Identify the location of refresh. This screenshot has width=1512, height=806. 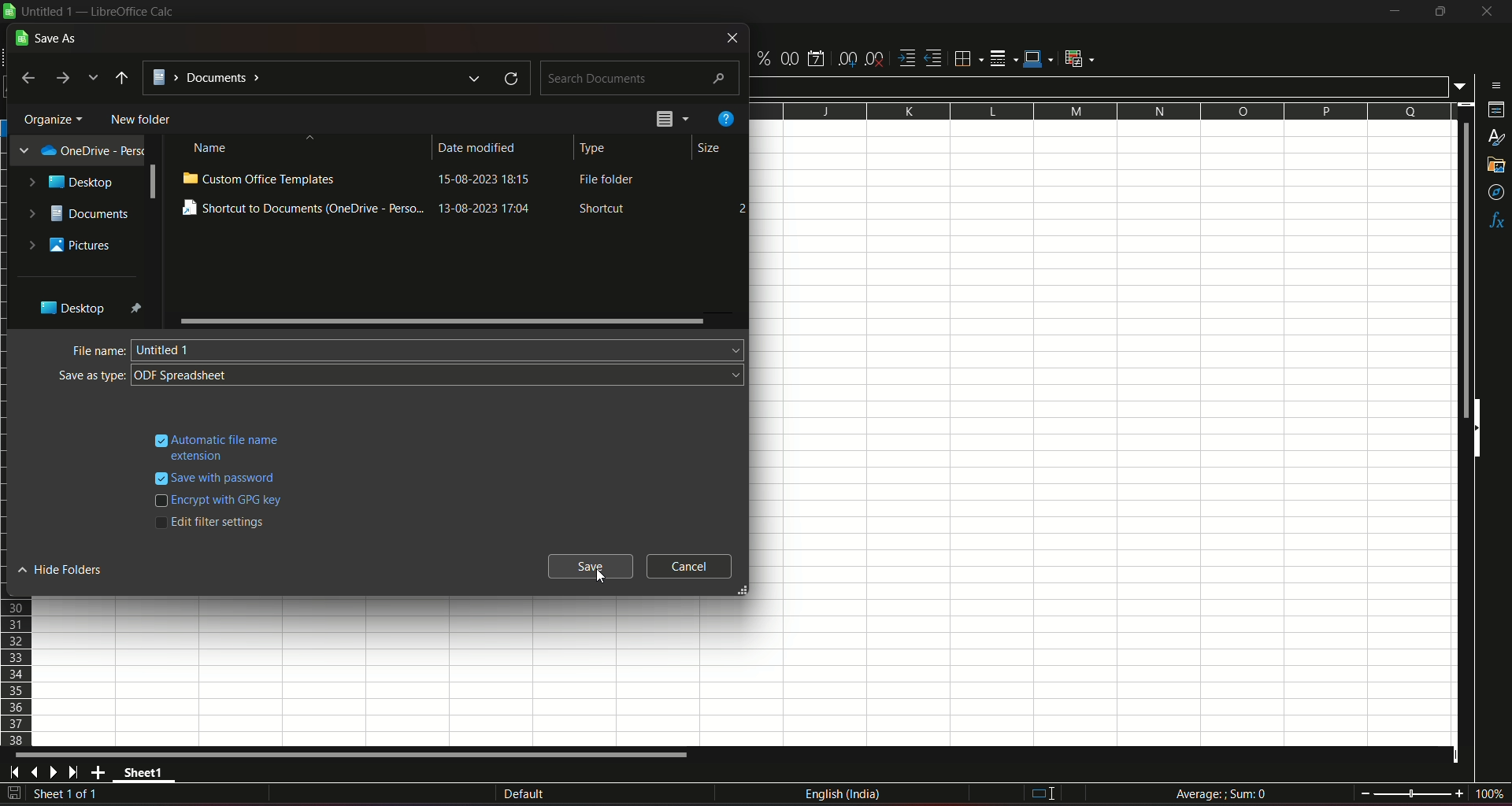
(507, 78).